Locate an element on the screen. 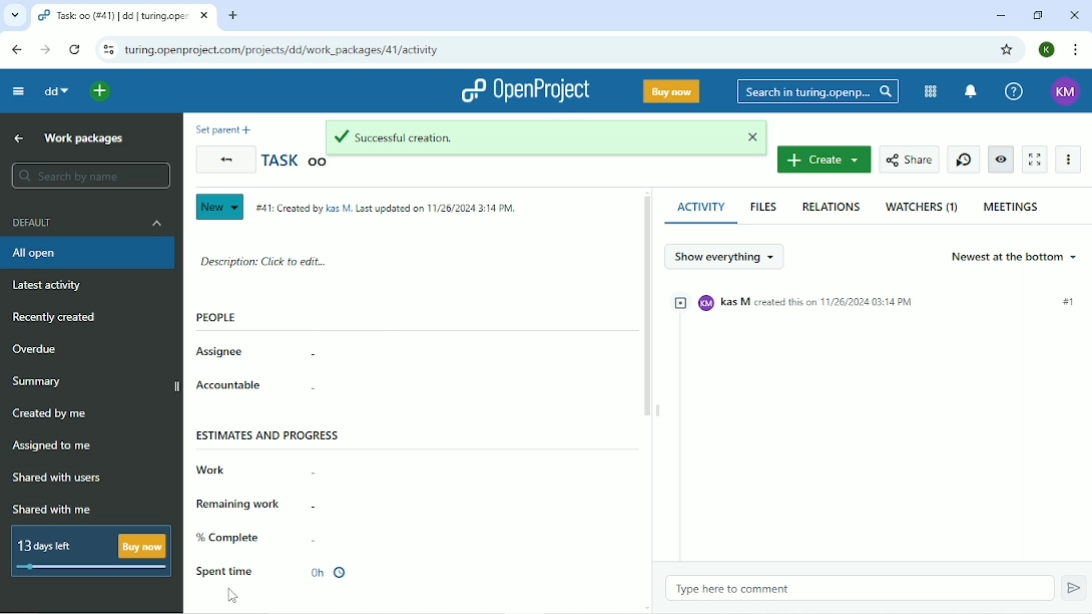 Image resolution: width=1092 pixels, height=614 pixels. Shared with users is located at coordinates (60, 477).